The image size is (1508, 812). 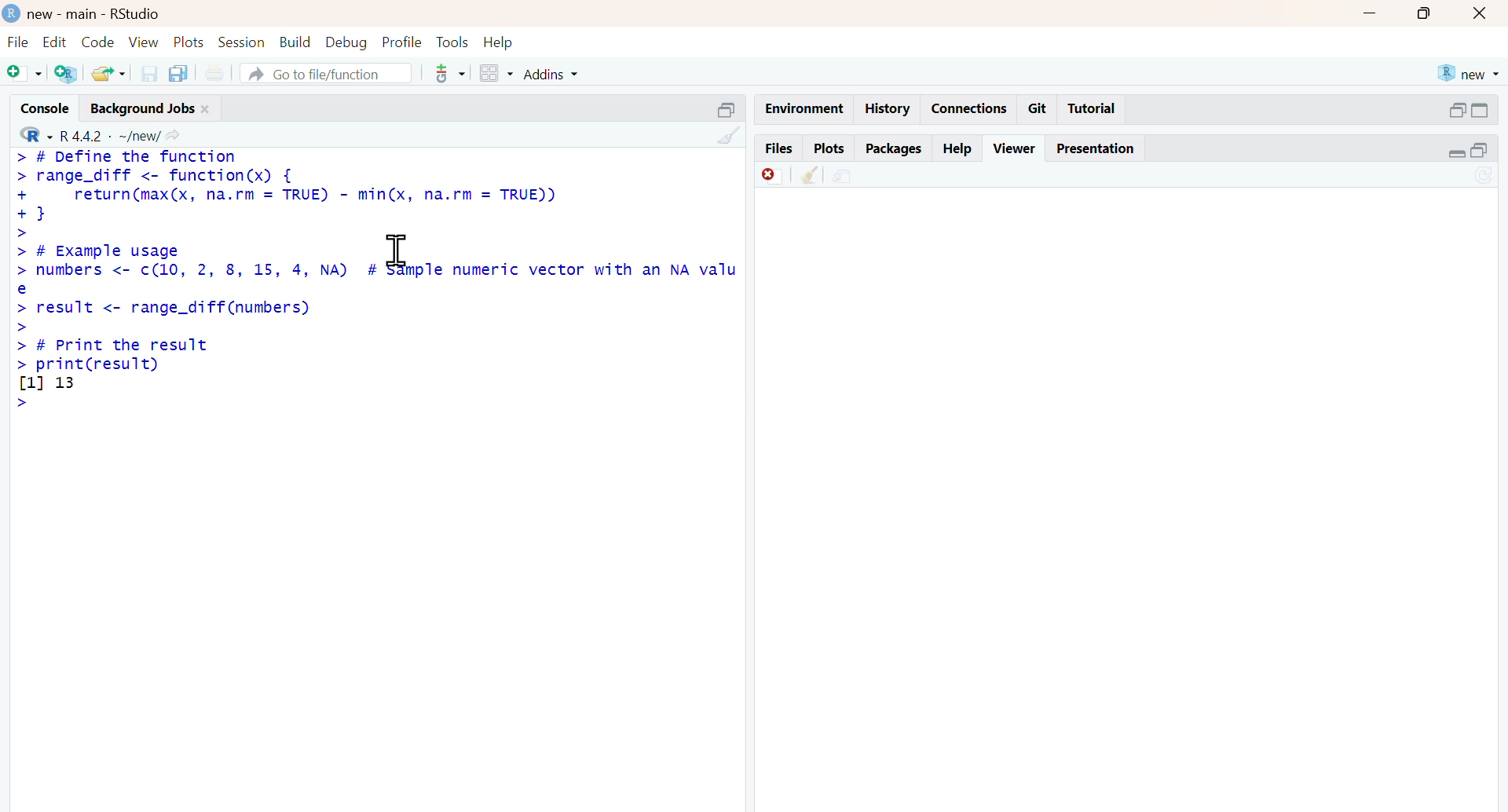 What do you see at coordinates (1480, 150) in the screenshot?
I see `open in separate window` at bounding box center [1480, 150].